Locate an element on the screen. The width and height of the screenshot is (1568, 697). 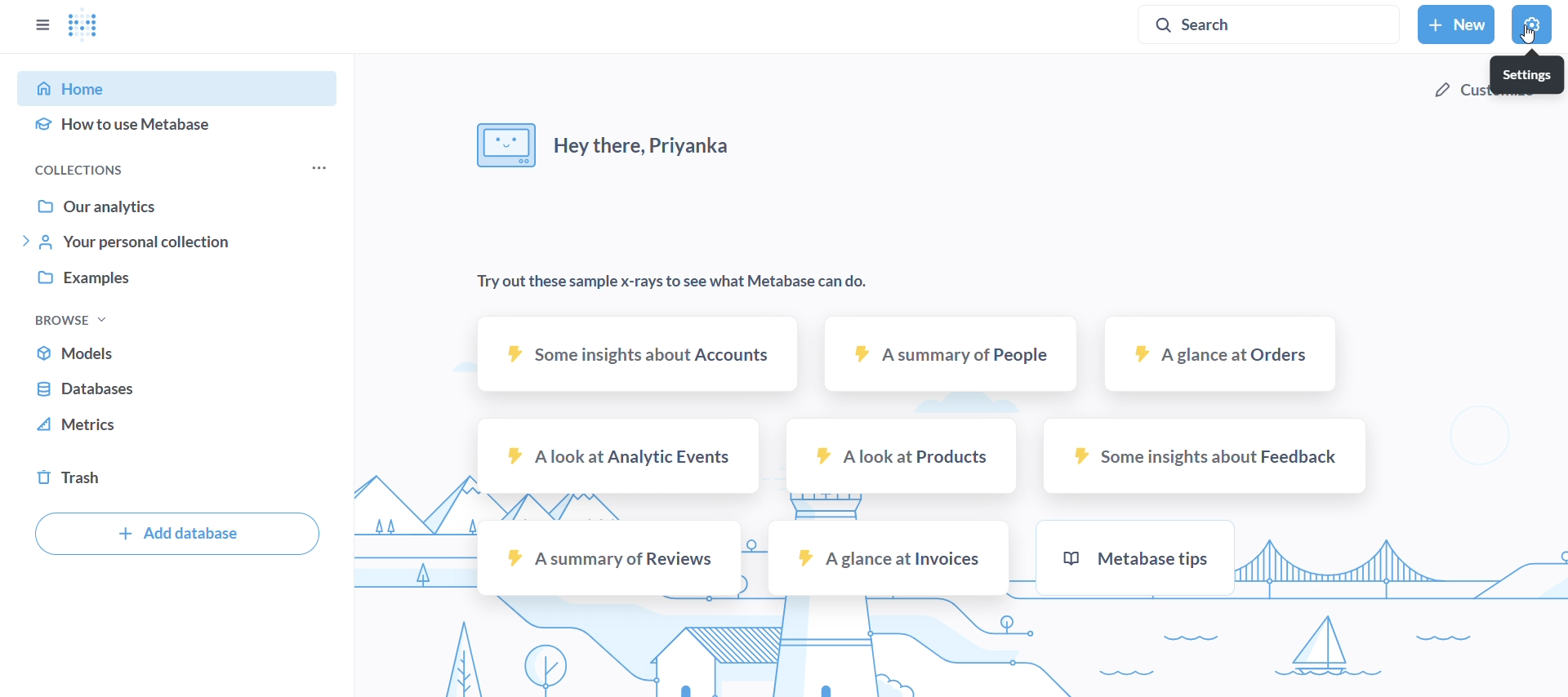
how to use metabase is located at coordinates (180, 127).